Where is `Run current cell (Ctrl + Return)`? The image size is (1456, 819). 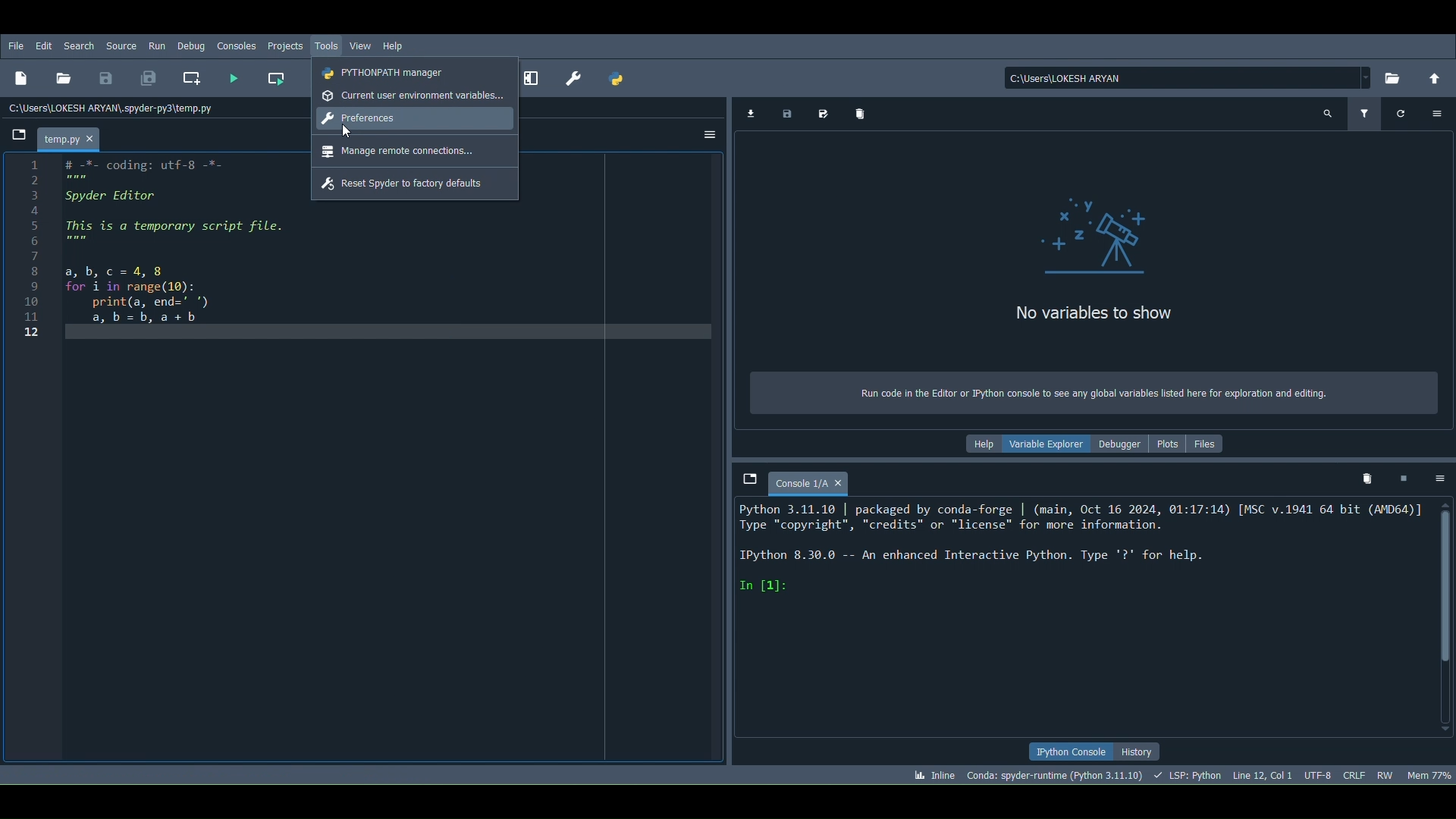
Run current cell (Ctrl + Return) is located at coordinates (276, 76).